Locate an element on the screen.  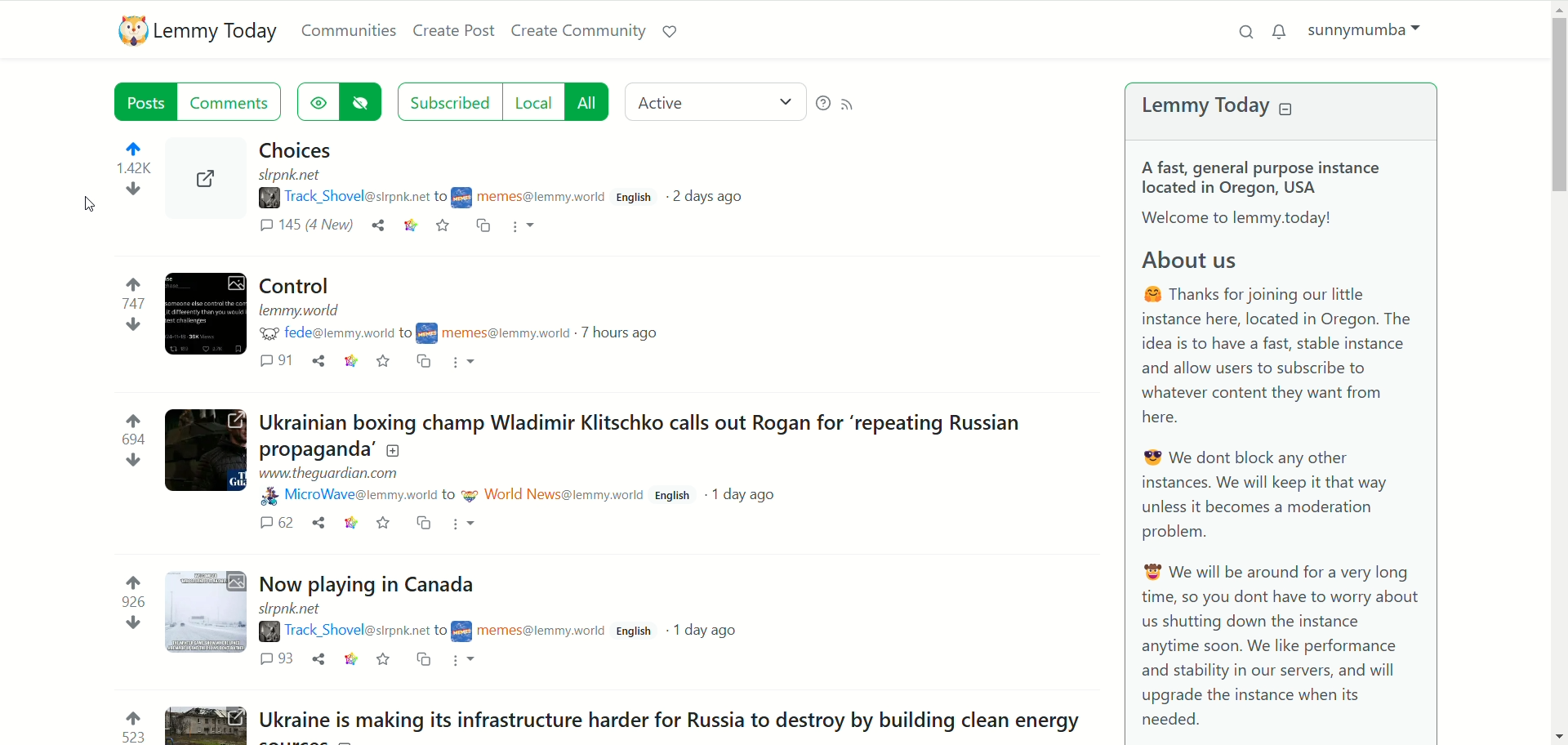
926 is located at coordinates (131, 601).